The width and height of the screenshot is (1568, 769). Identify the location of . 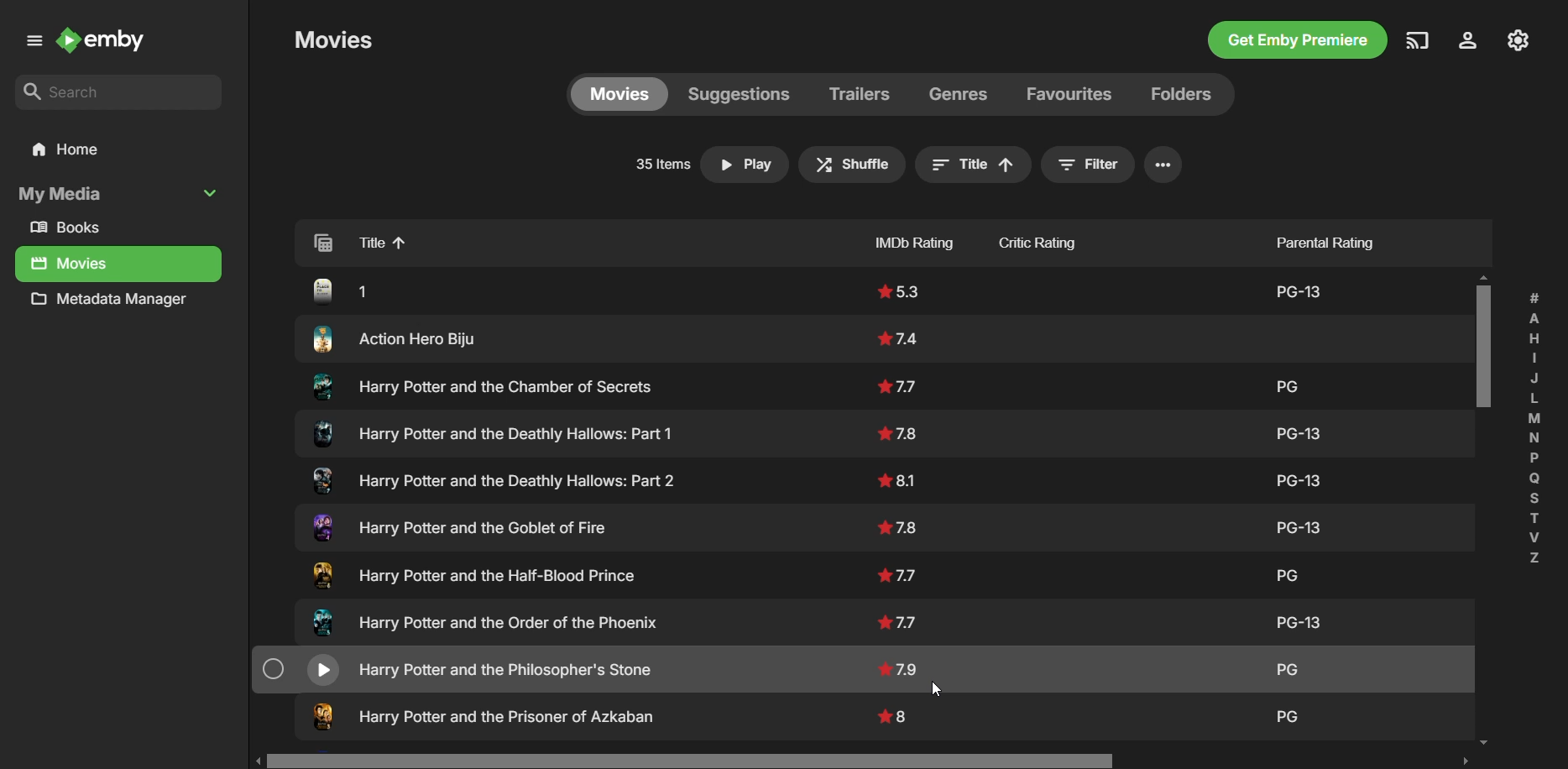
(900, 428).